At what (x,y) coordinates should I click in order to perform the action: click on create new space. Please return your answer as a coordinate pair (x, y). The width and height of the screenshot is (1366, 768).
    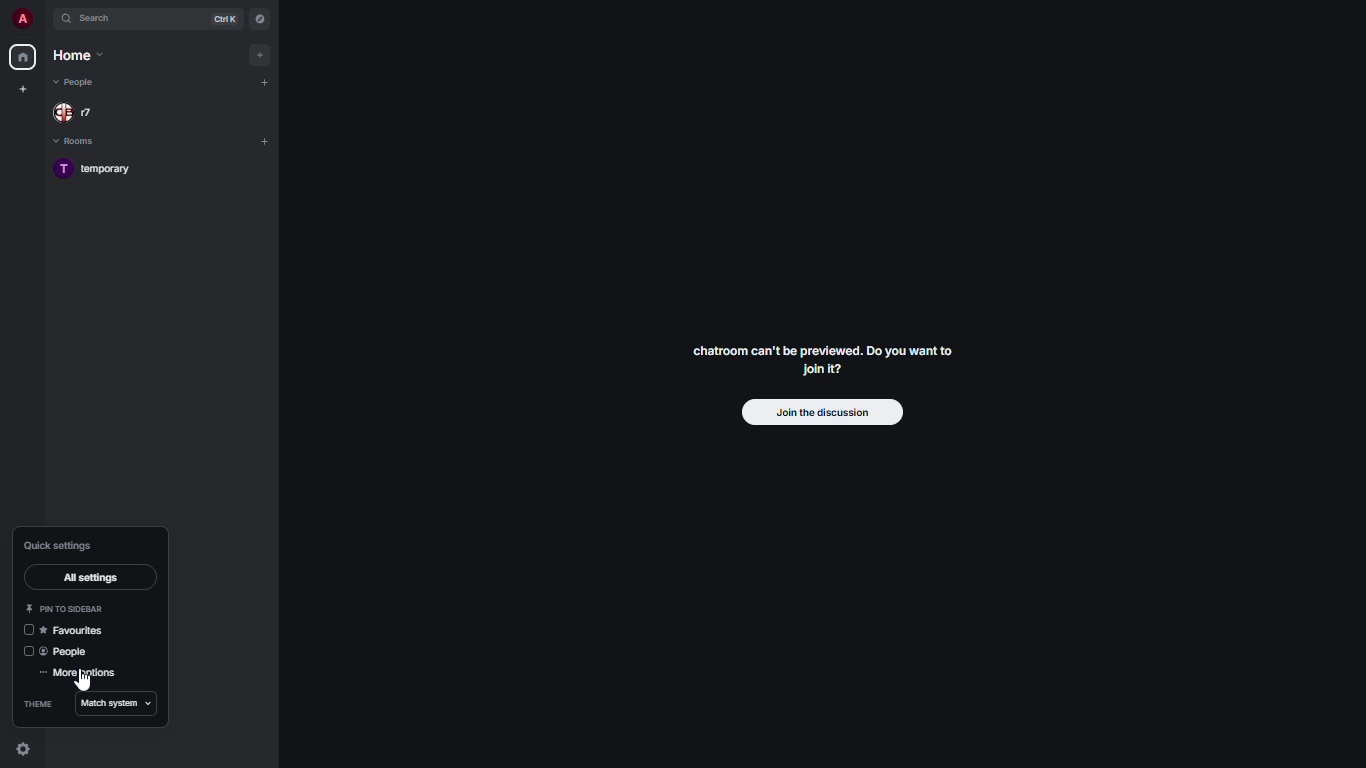
    Looking at the image, I should click on (23, 89).